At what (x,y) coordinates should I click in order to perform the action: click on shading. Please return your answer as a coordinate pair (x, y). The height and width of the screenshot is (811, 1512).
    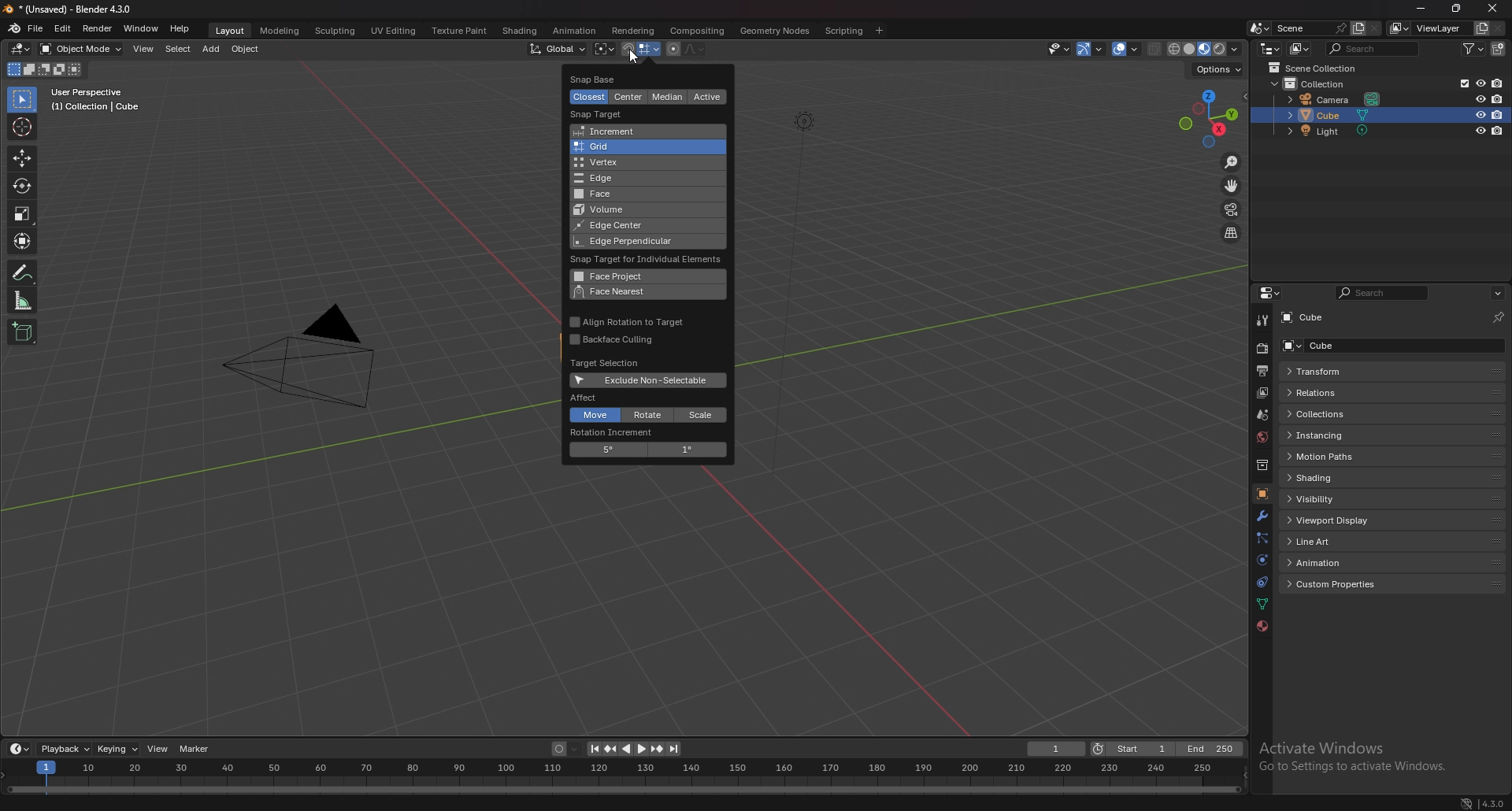
    Looking at the image, I should click on (519, 31).